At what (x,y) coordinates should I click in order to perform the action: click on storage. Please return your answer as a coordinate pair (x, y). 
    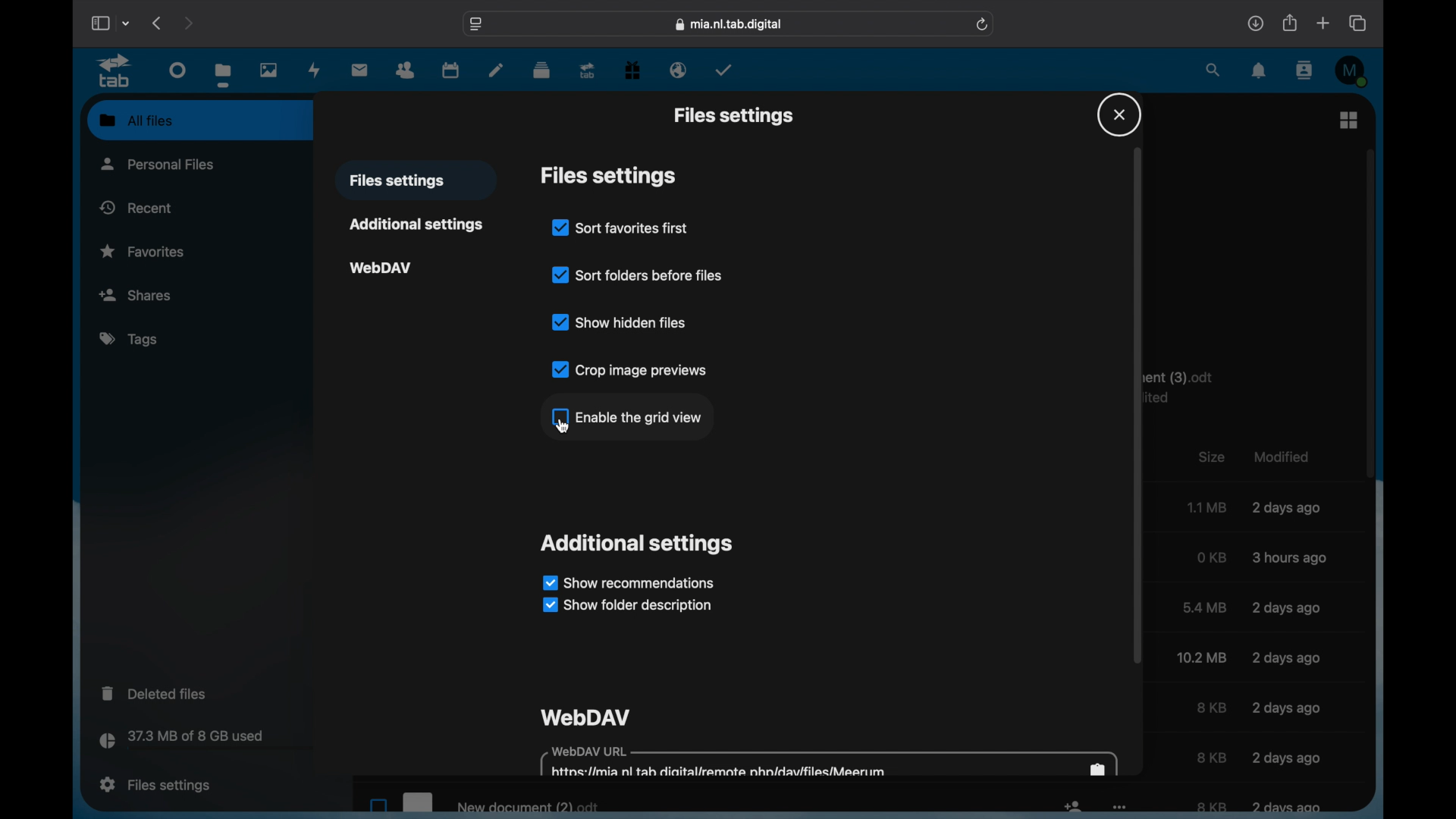
    Looking at the image, I should click on (214, 742).